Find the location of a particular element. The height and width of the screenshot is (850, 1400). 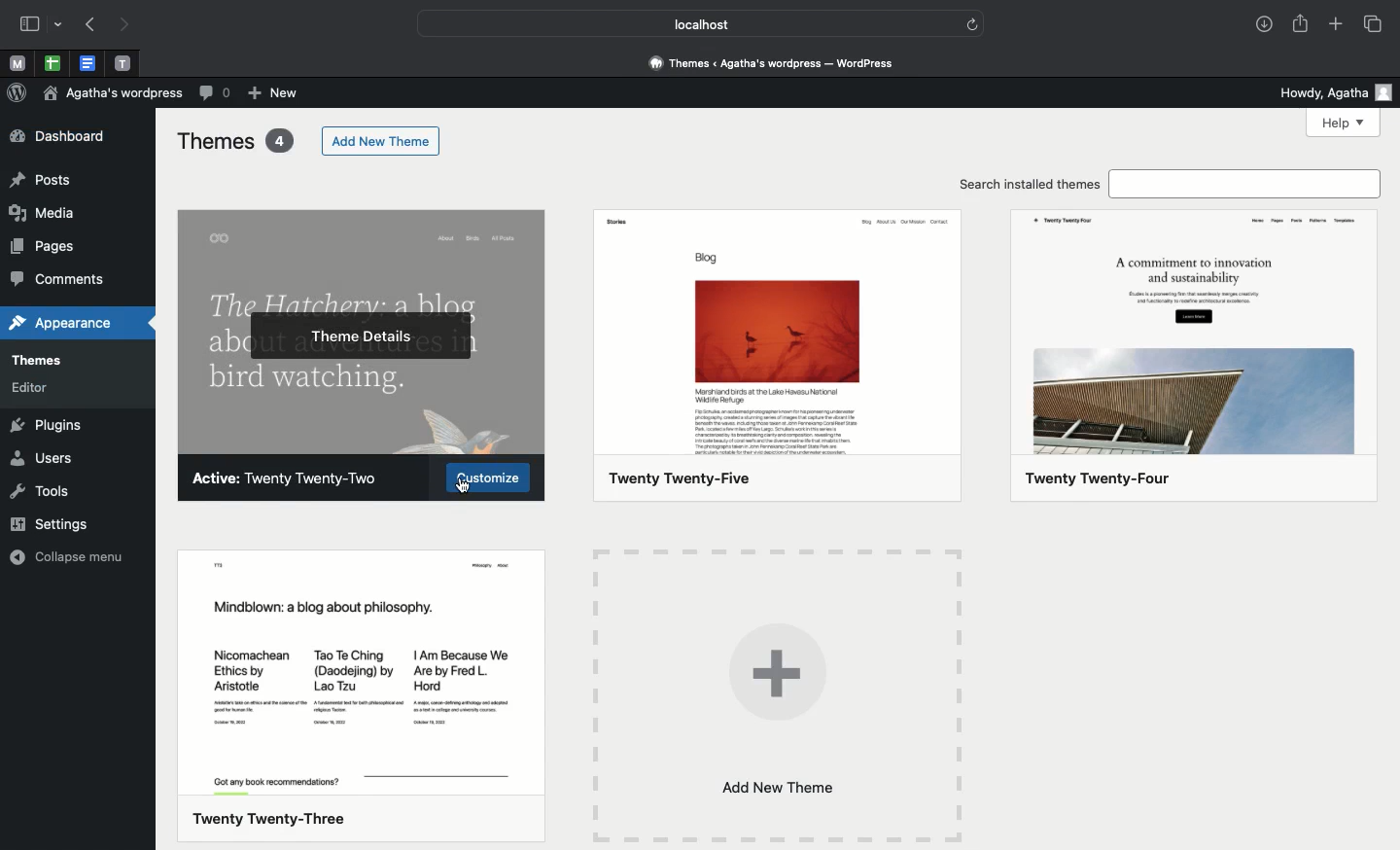

Pinned tab is located at coordinates (52, 64).